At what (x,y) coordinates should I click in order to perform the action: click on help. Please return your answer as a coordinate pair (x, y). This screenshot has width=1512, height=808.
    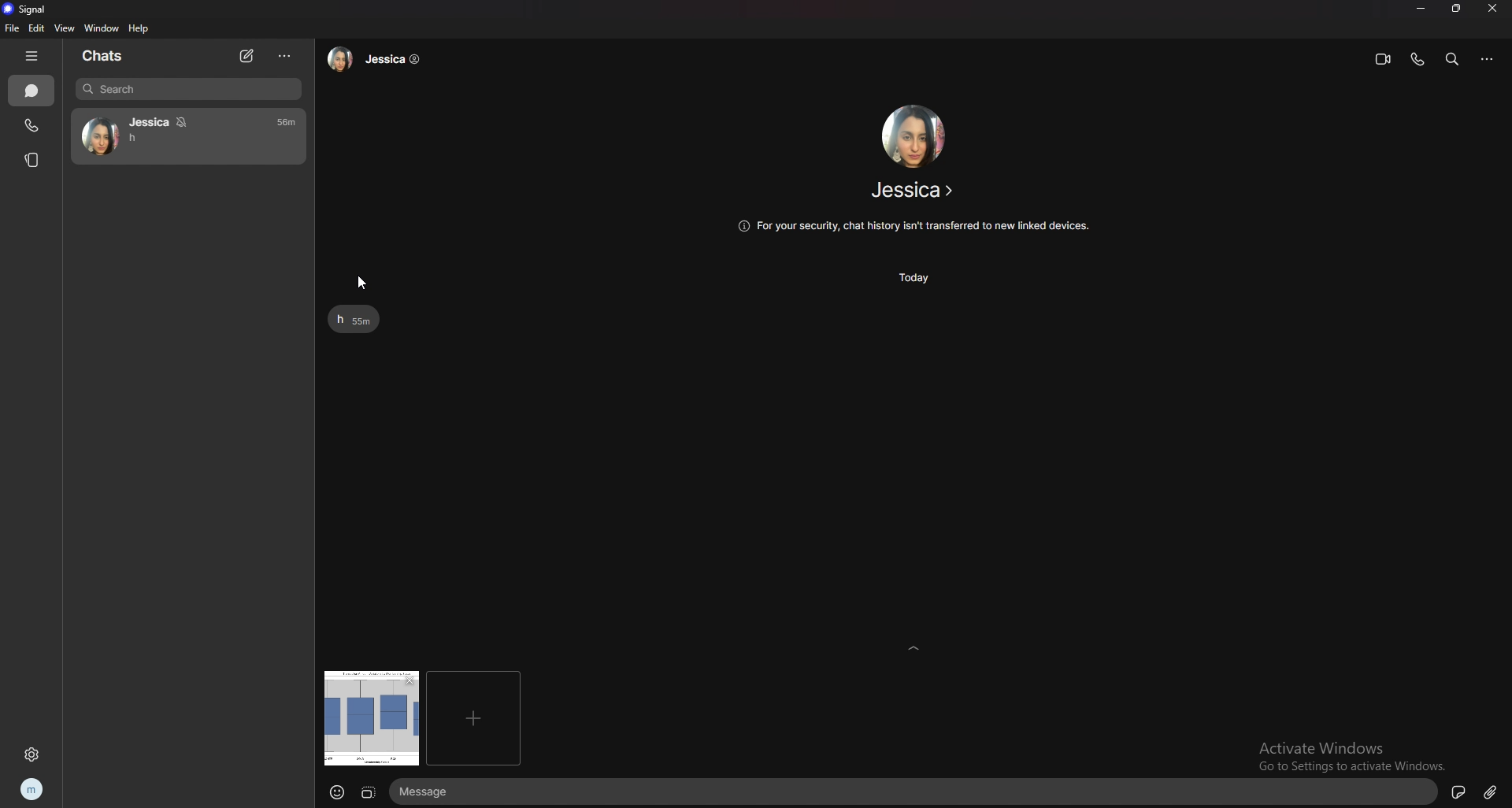
    Looking at the image, I should click on (138, 28).